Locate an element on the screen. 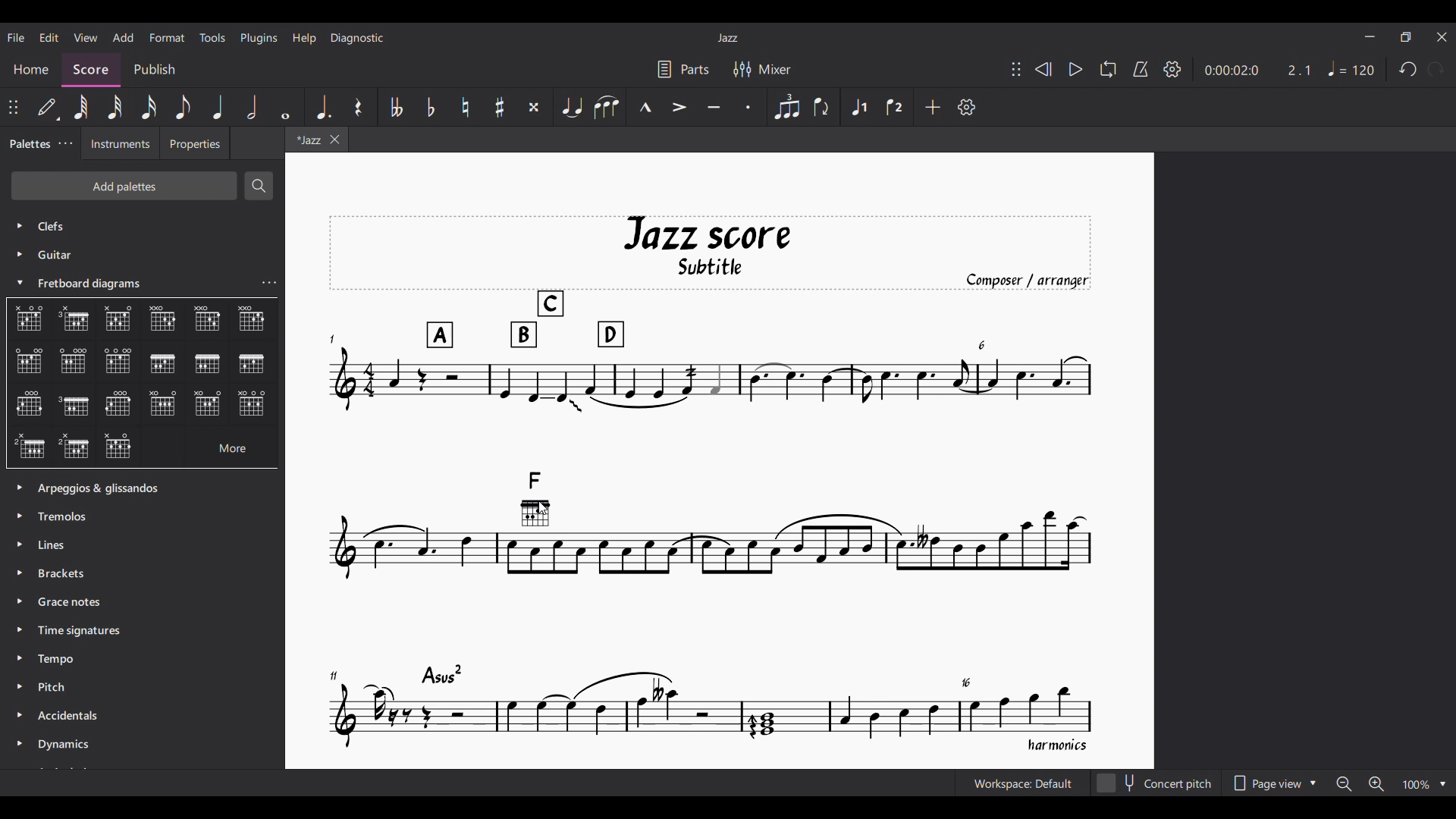  Chart 16 is located at coordinates (251, 406).